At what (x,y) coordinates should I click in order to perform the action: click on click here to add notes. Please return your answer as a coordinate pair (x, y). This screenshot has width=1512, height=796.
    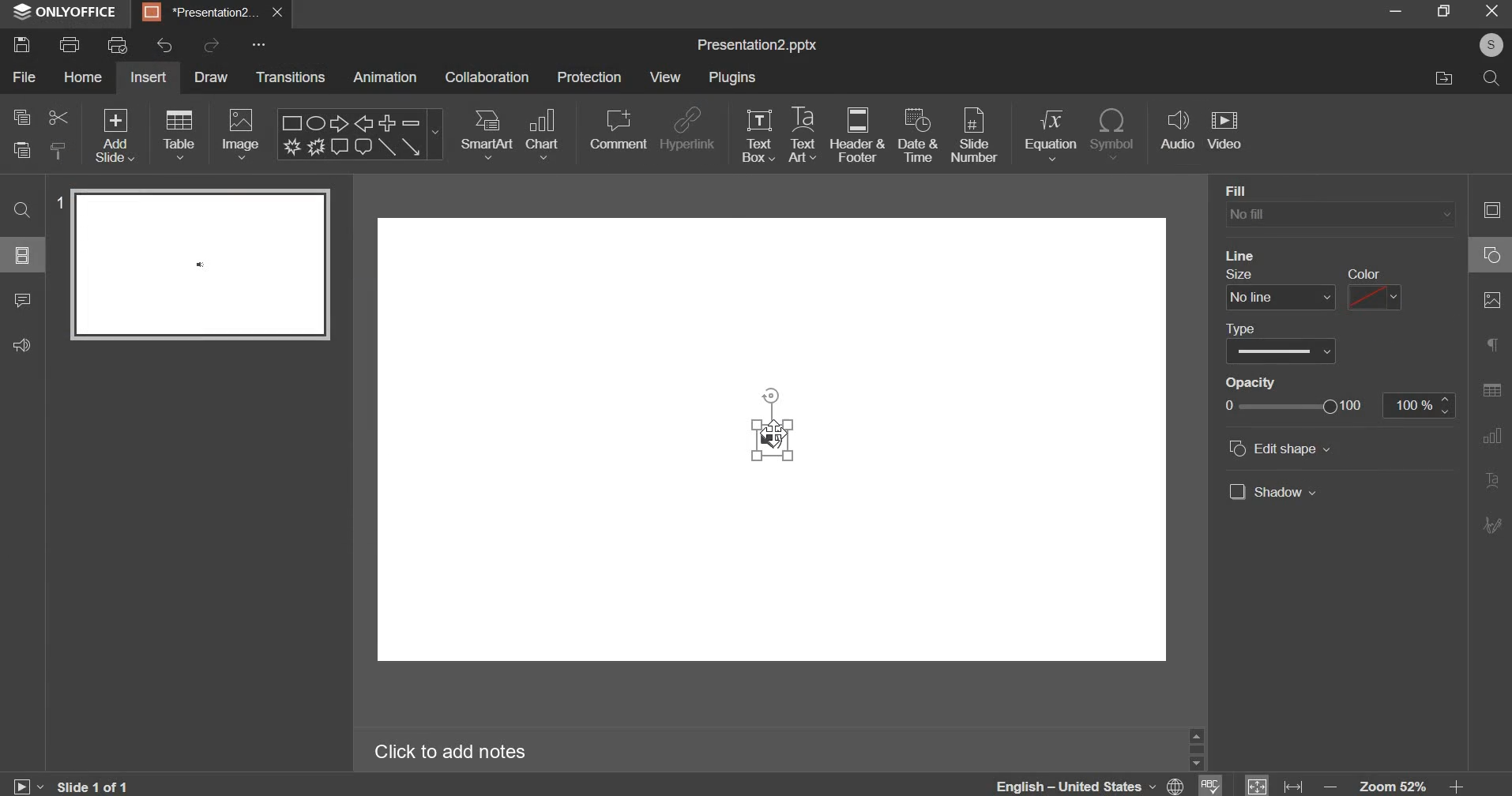
    Looking at the image, I should click on (451, 749).